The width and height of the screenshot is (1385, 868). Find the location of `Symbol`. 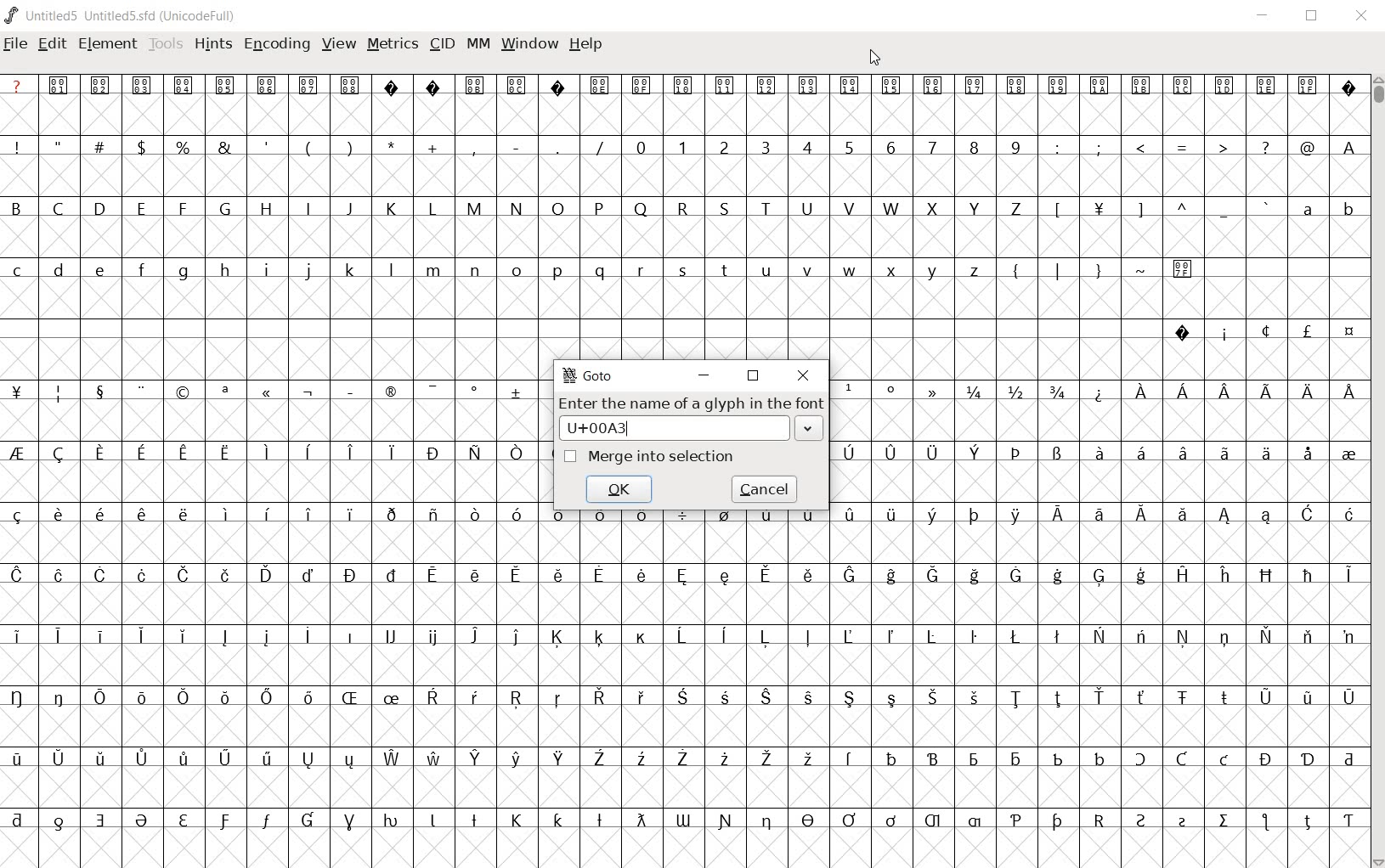

Symbol is located at coordinates (224, 392).